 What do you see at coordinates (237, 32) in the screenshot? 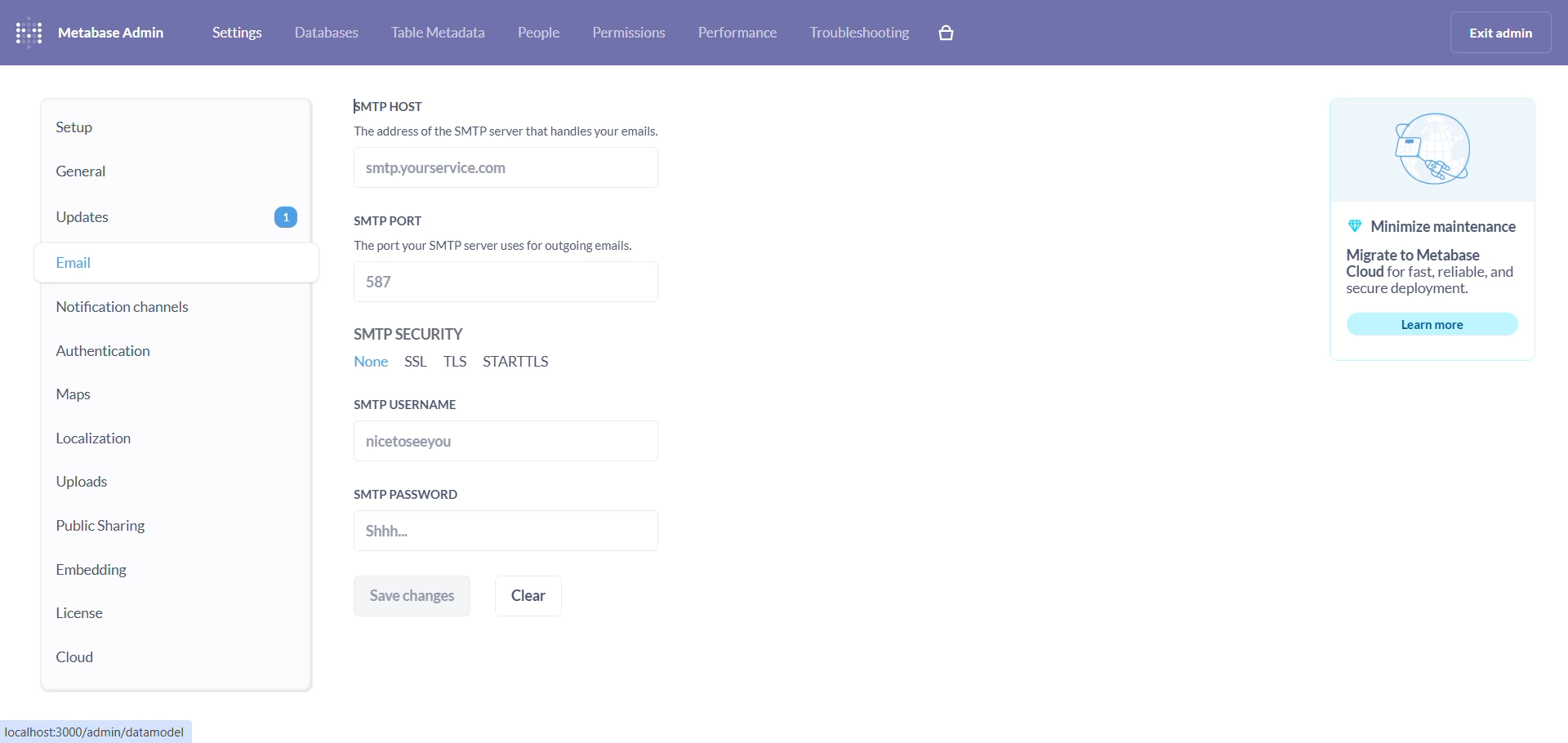
I see `settings` at bounding box center [237, 32].